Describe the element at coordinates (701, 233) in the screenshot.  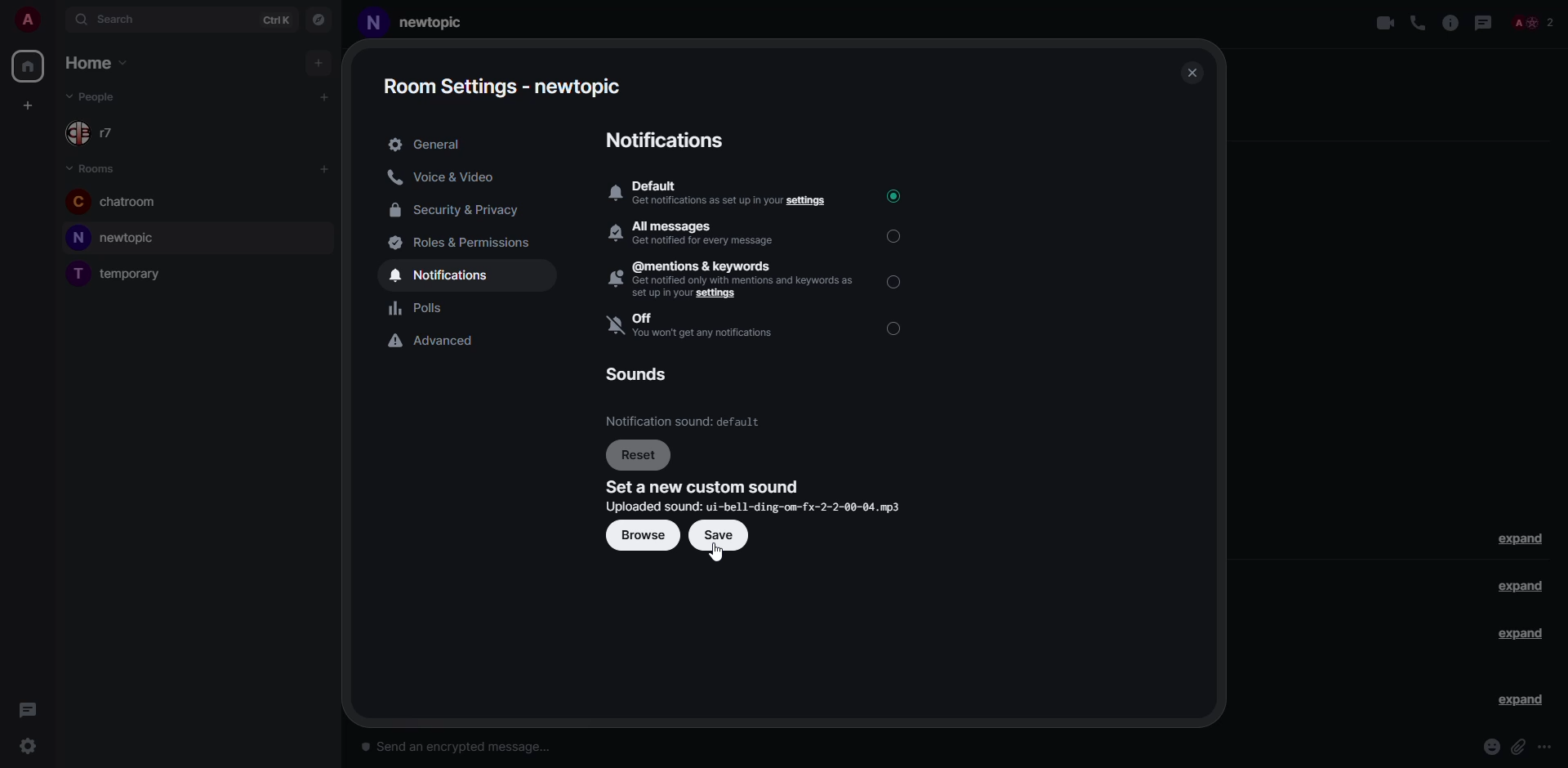
I see `All messagesBh Got acrid avy mikes` at that location.